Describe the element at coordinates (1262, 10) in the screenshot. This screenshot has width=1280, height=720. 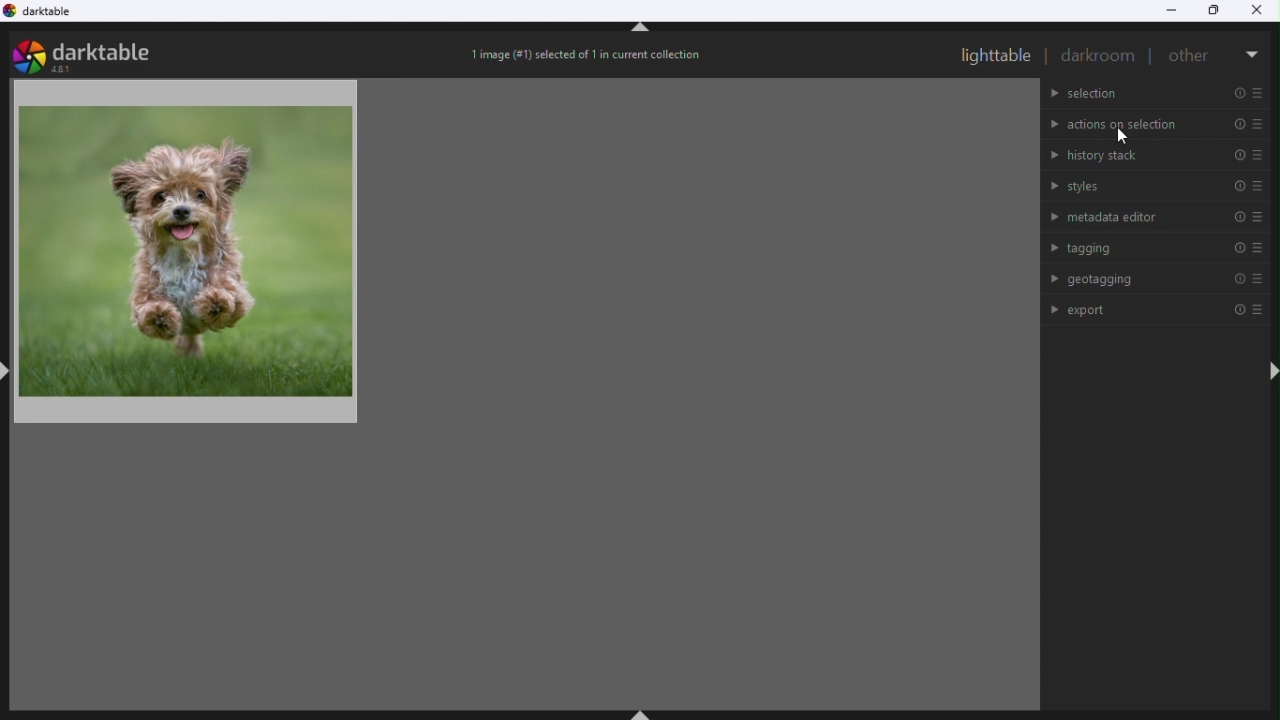
I see `Close` at that location.